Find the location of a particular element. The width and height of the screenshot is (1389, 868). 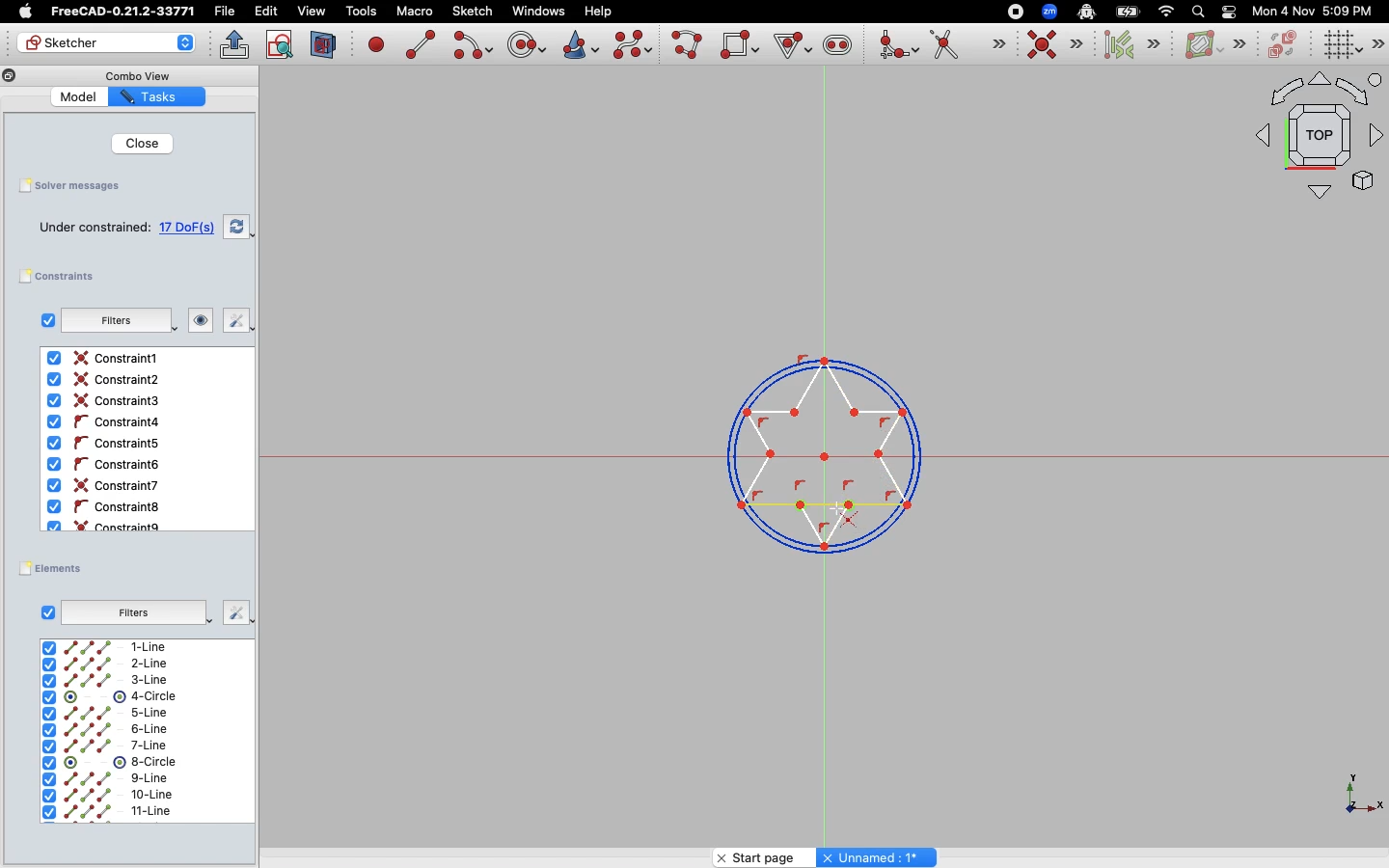

Mon 4 Nov 5:09 PM is located at coordinates (1315, 12).